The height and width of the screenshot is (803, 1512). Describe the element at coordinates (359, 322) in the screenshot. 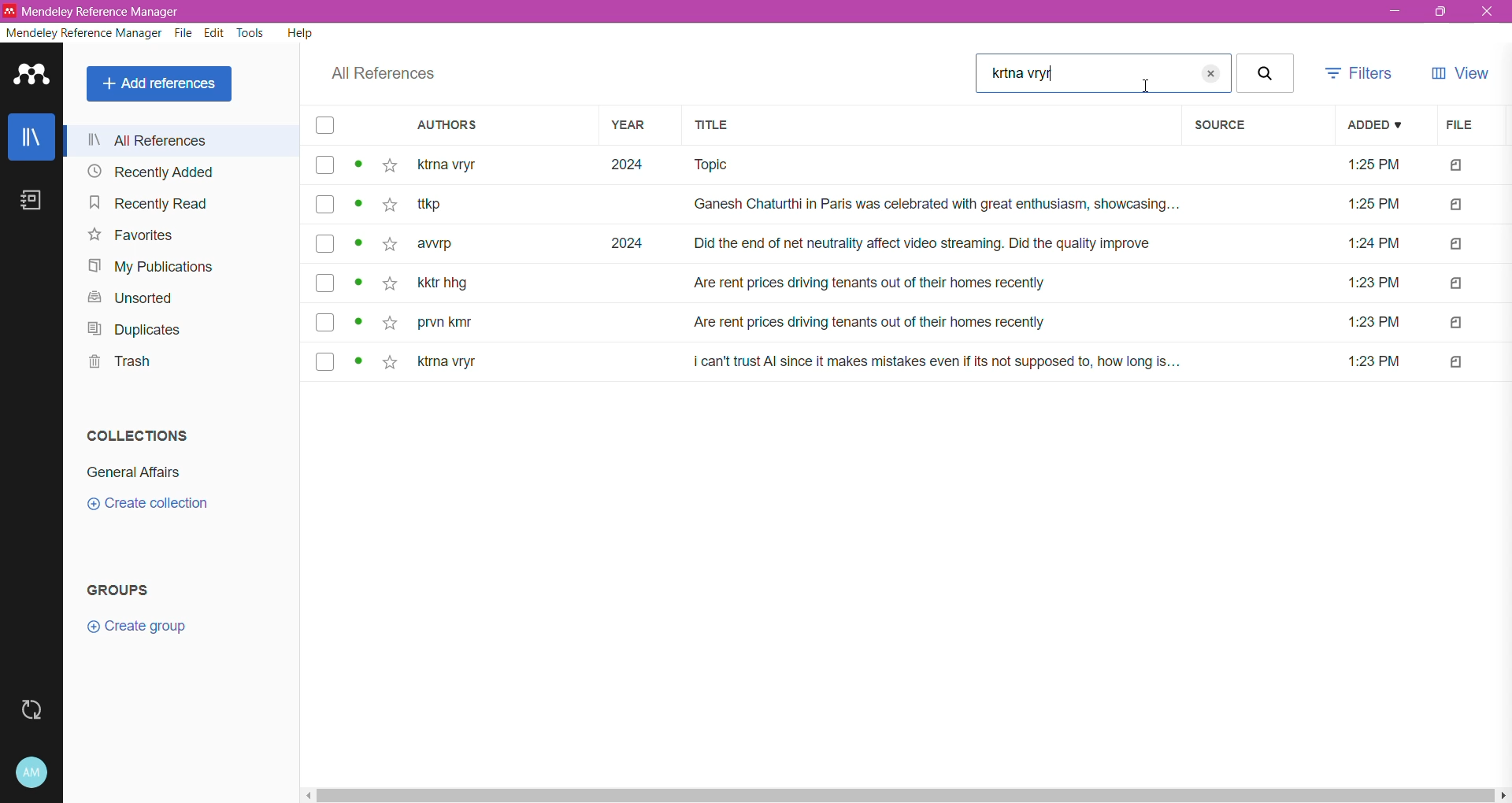

I see `view status of the file` at that location.